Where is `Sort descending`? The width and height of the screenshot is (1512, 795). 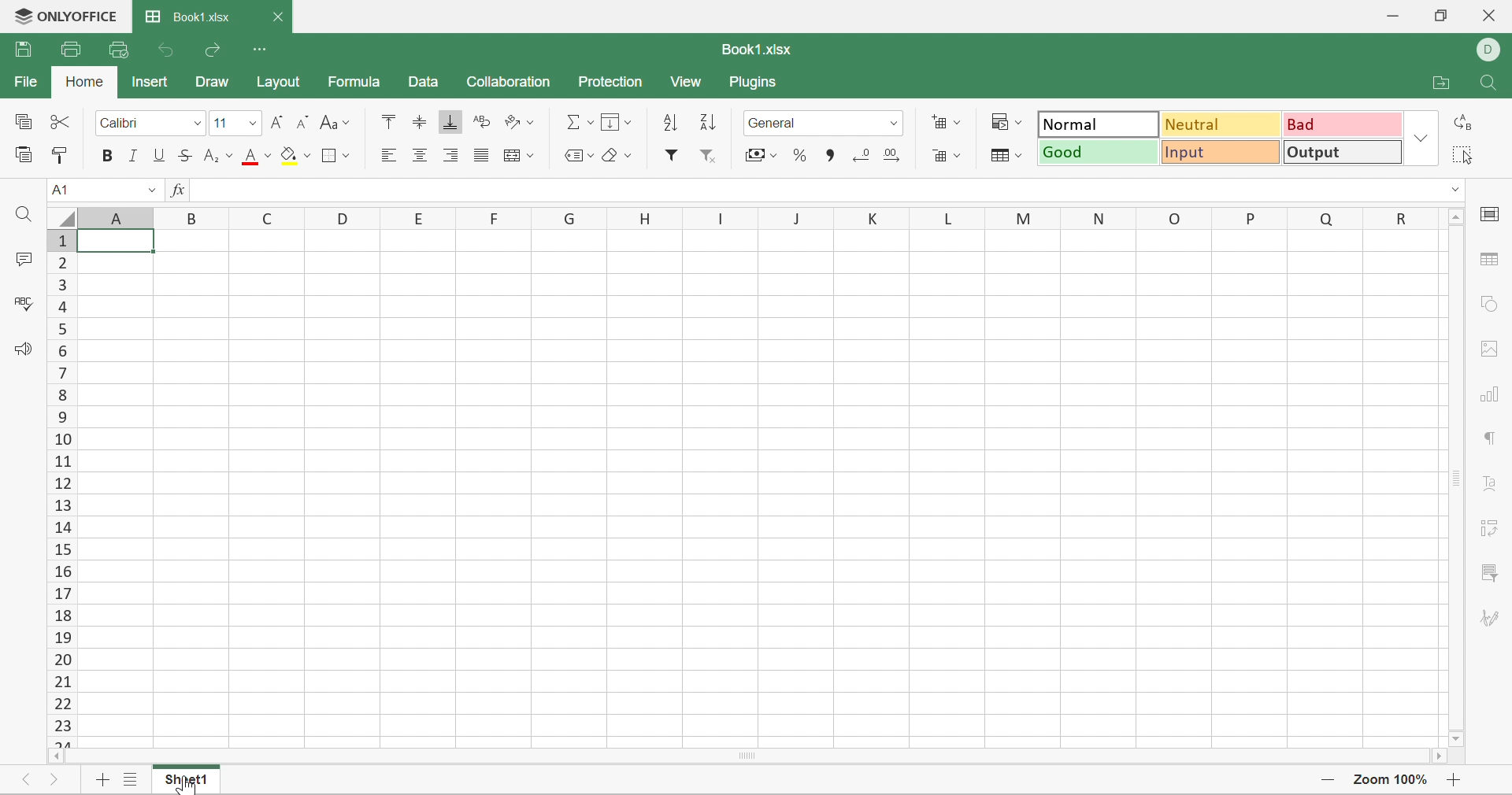 Sort descending is located at coordinates (706, 121).